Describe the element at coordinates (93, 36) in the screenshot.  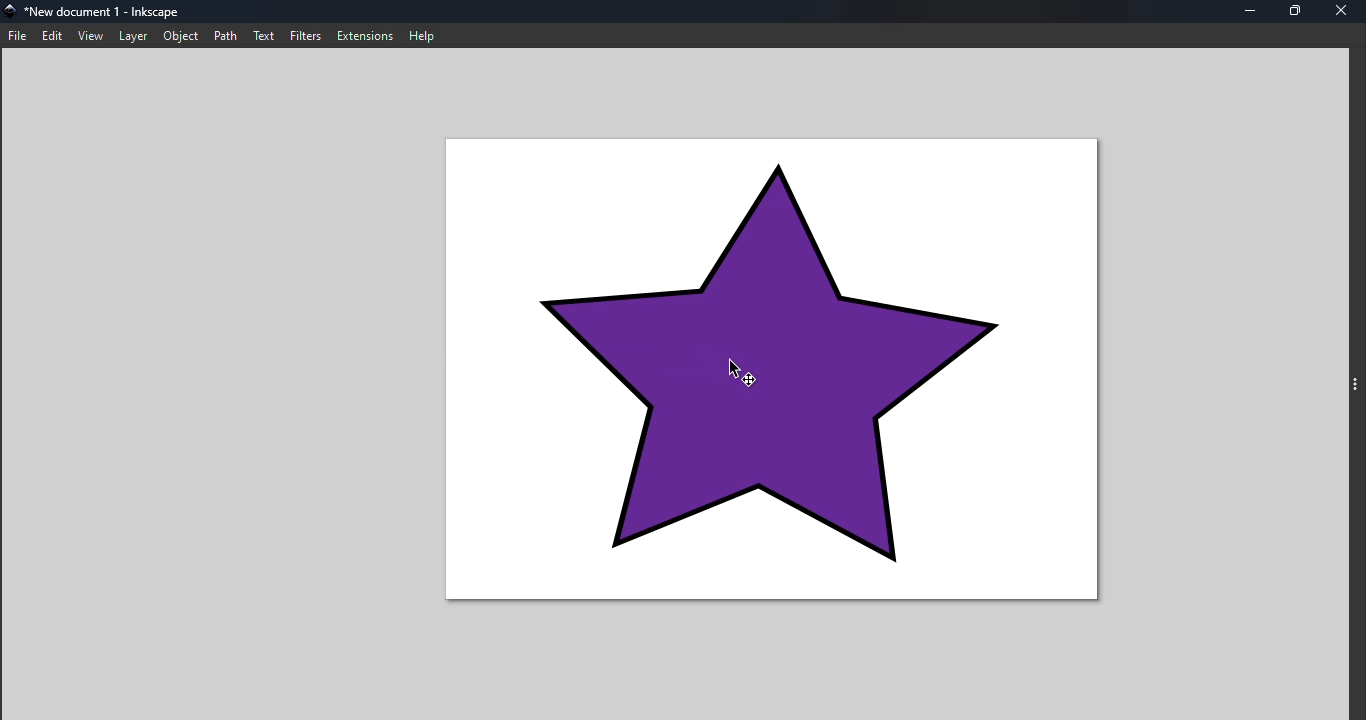
I see `View` at that location.